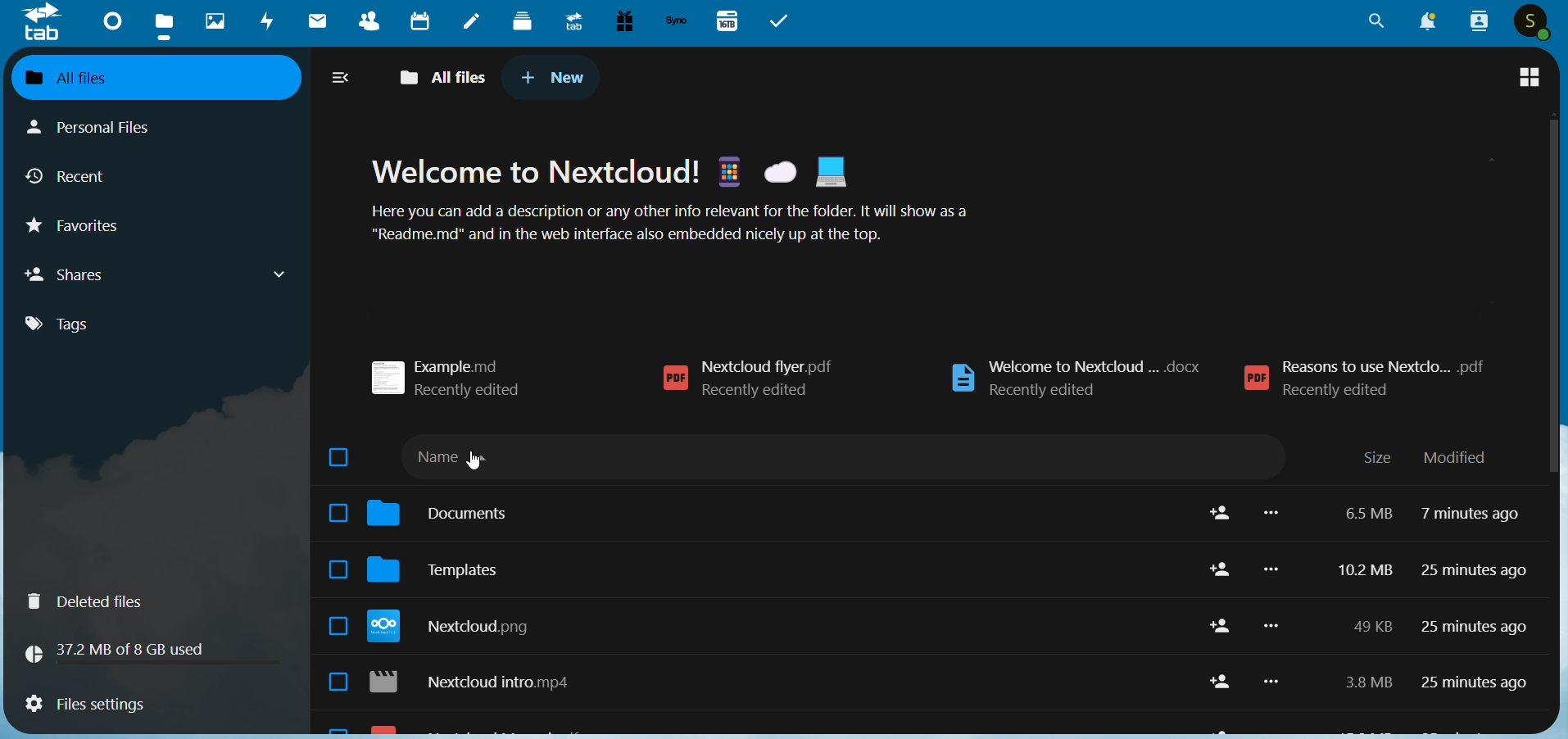 The height and width of the screenshot is (739, 1568). I want to click on Files Settings, so click(135, 704).